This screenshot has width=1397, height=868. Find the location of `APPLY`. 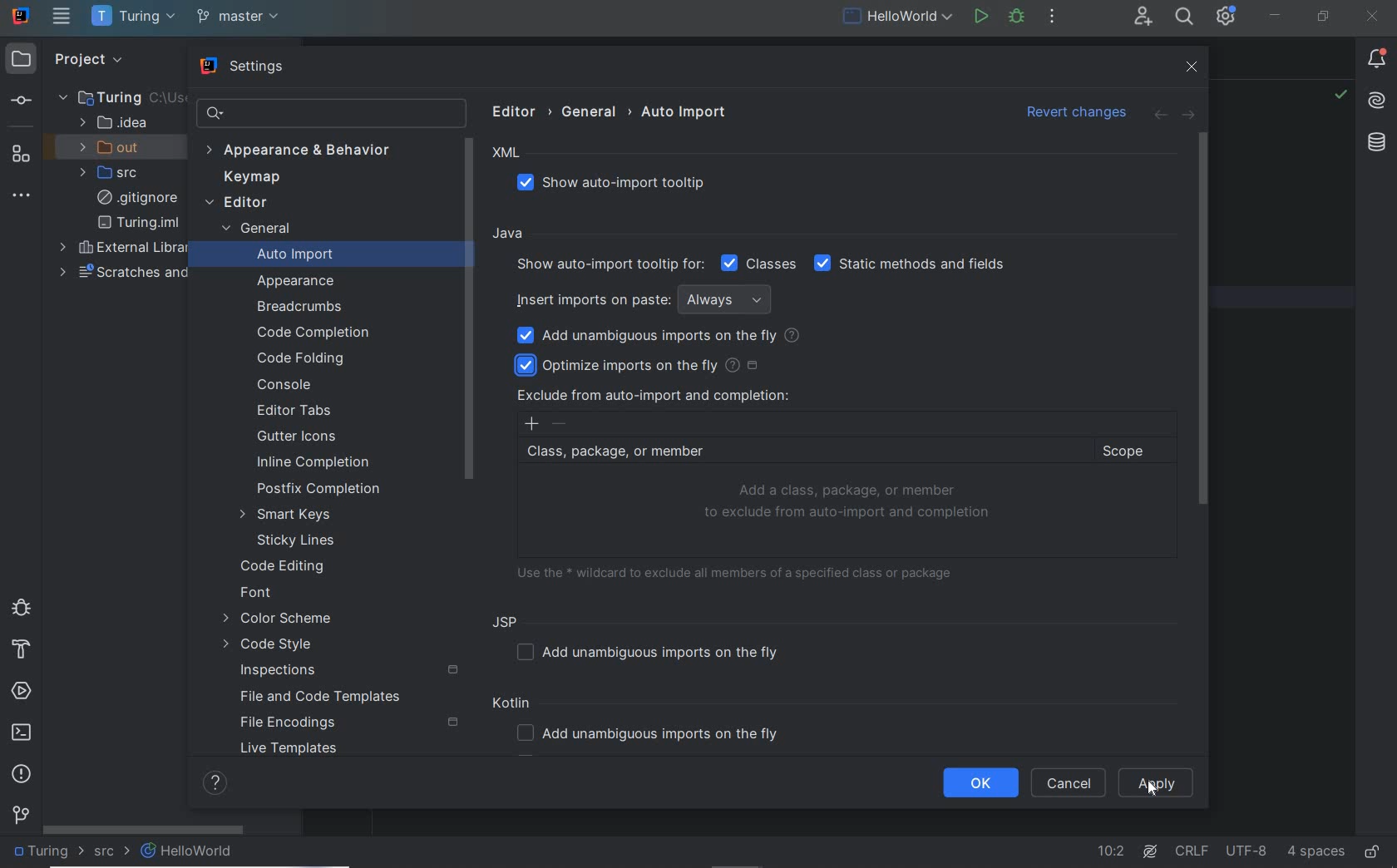

APPLY is located at coordinates (1160, 784).